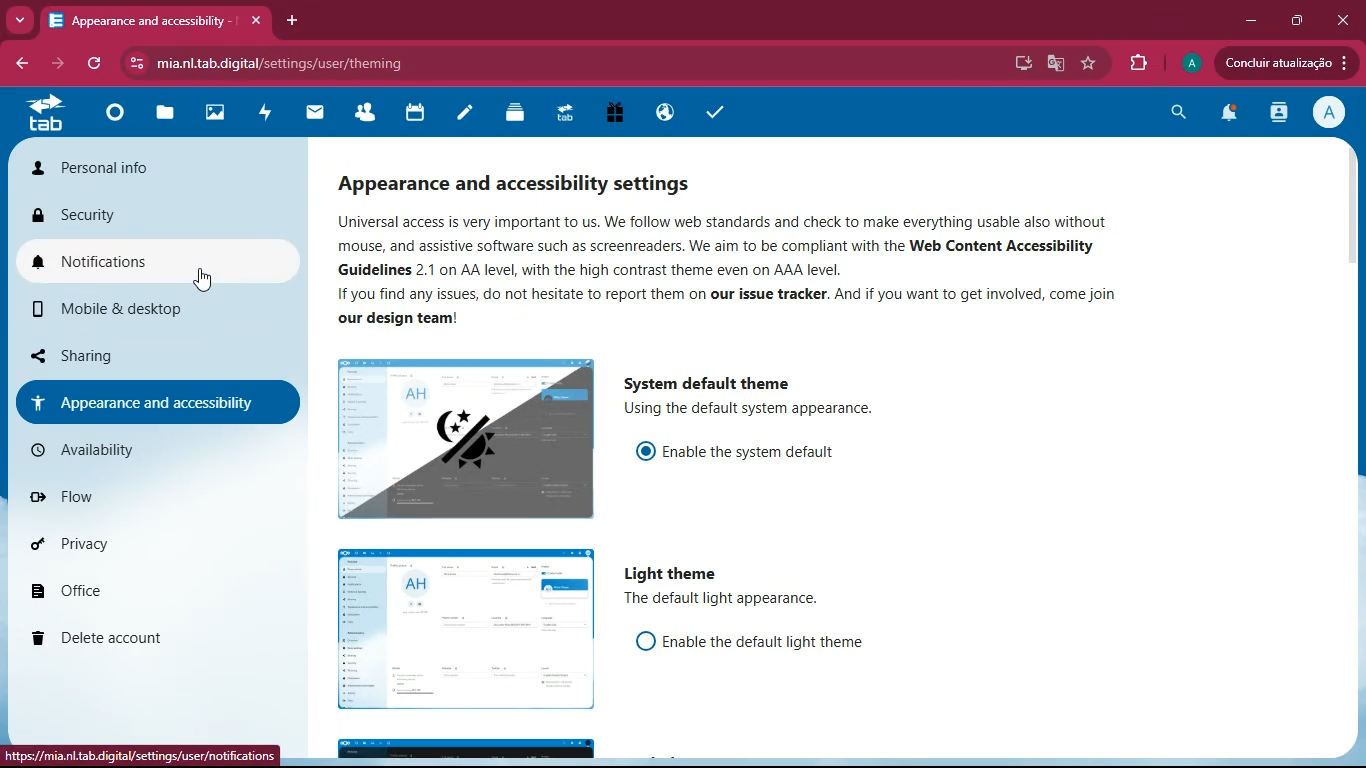 Image resolution: width=1366 pixels, height=768 pixels. I want to click on back, so click(18, 61).